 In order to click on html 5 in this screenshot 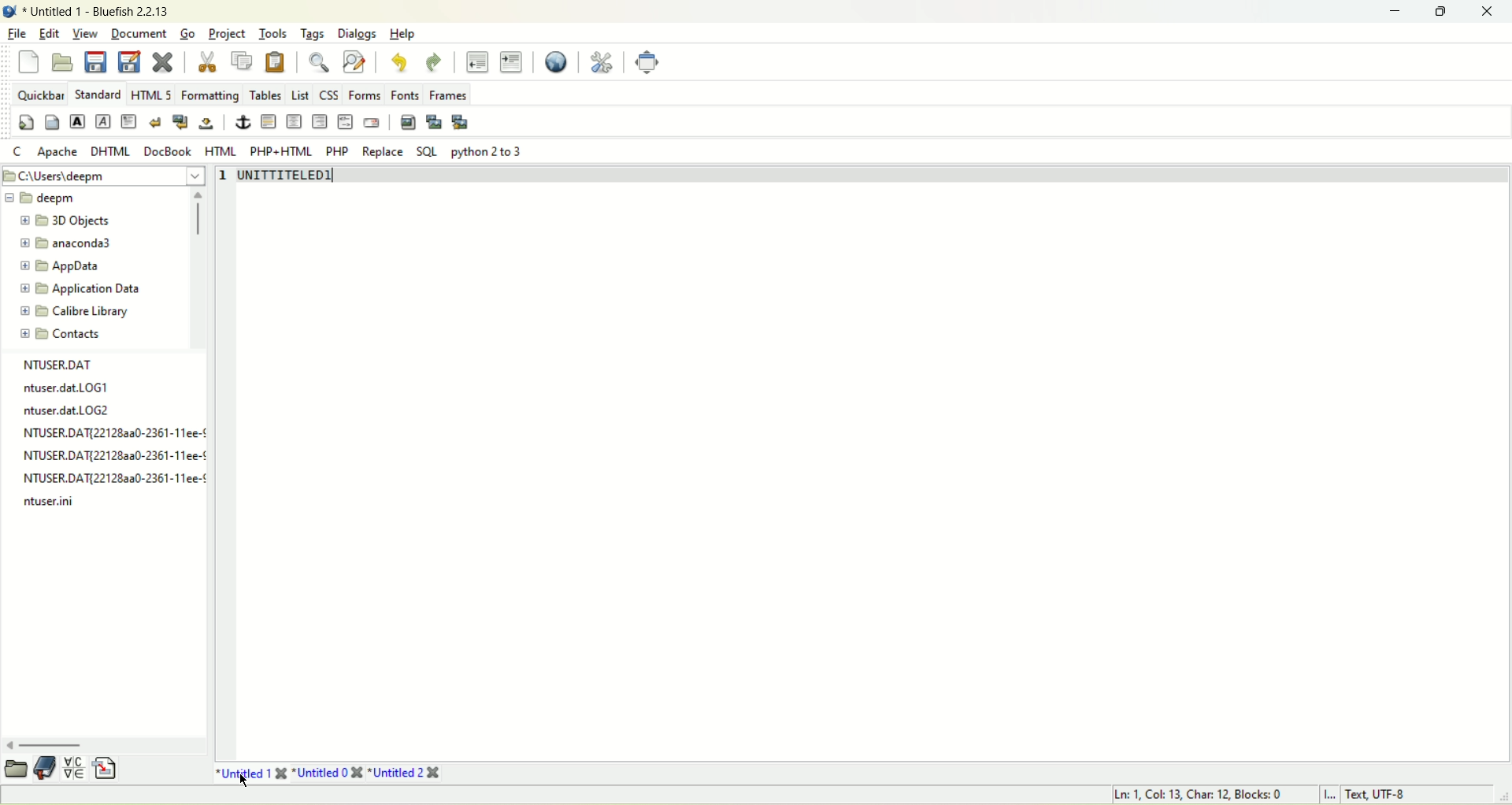, I will do `click(150, 92)`.